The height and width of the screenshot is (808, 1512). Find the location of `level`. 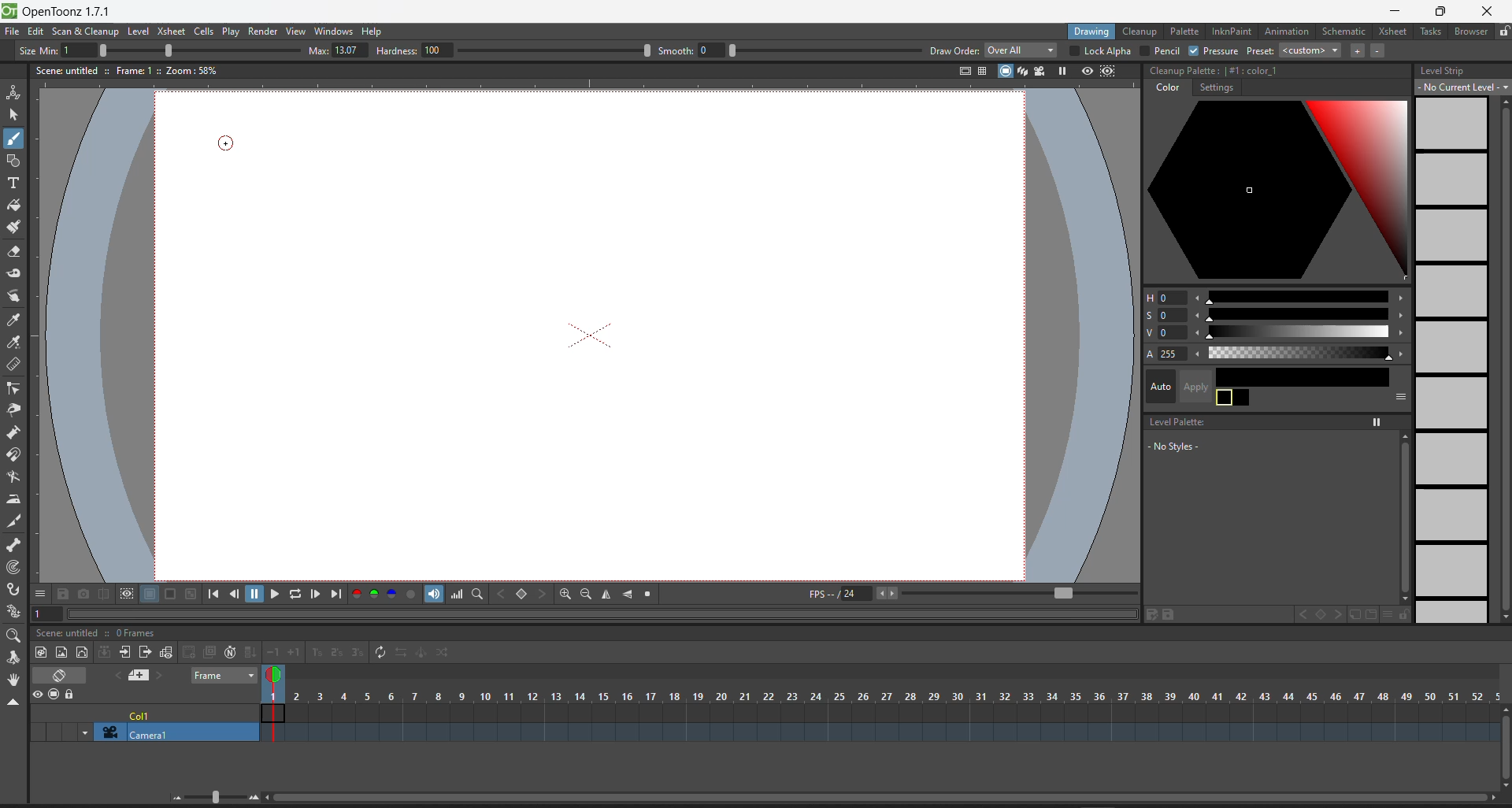

level is located at coordinates (140, 32).